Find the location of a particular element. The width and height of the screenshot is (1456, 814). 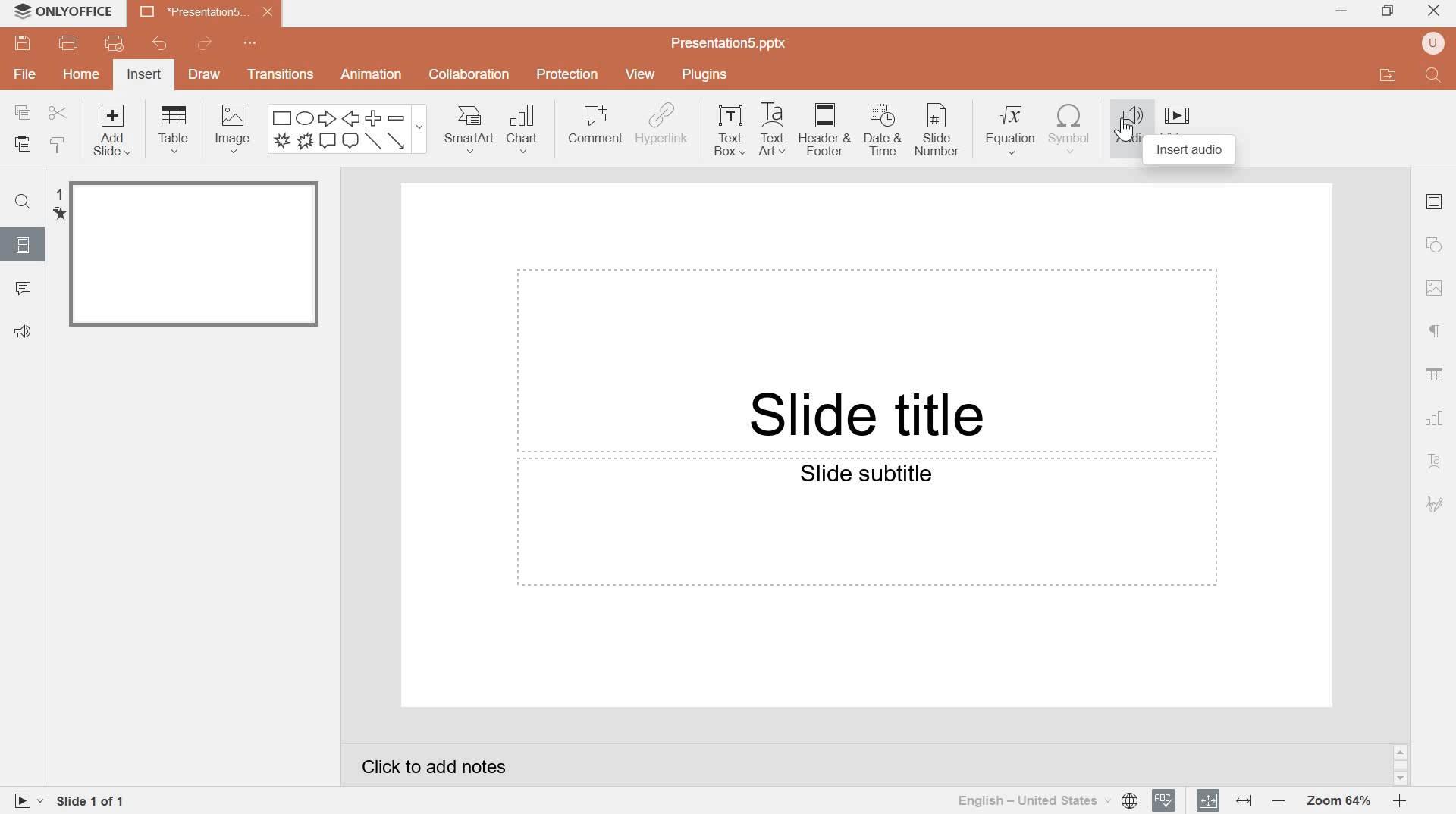

Equation is located at coordinates (1012, 129).